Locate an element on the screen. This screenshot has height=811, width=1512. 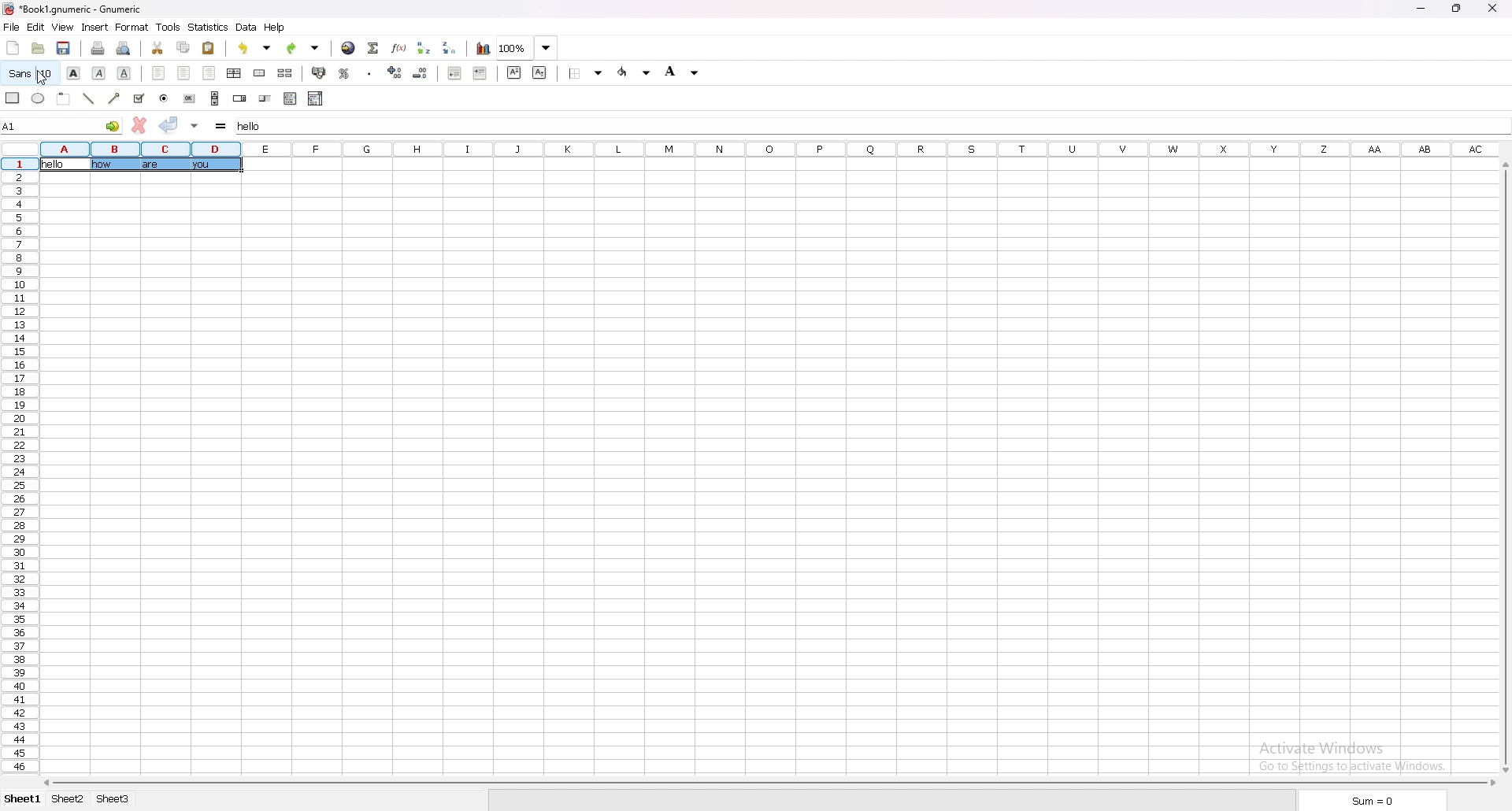
rows is located at coordinates (17, 465).